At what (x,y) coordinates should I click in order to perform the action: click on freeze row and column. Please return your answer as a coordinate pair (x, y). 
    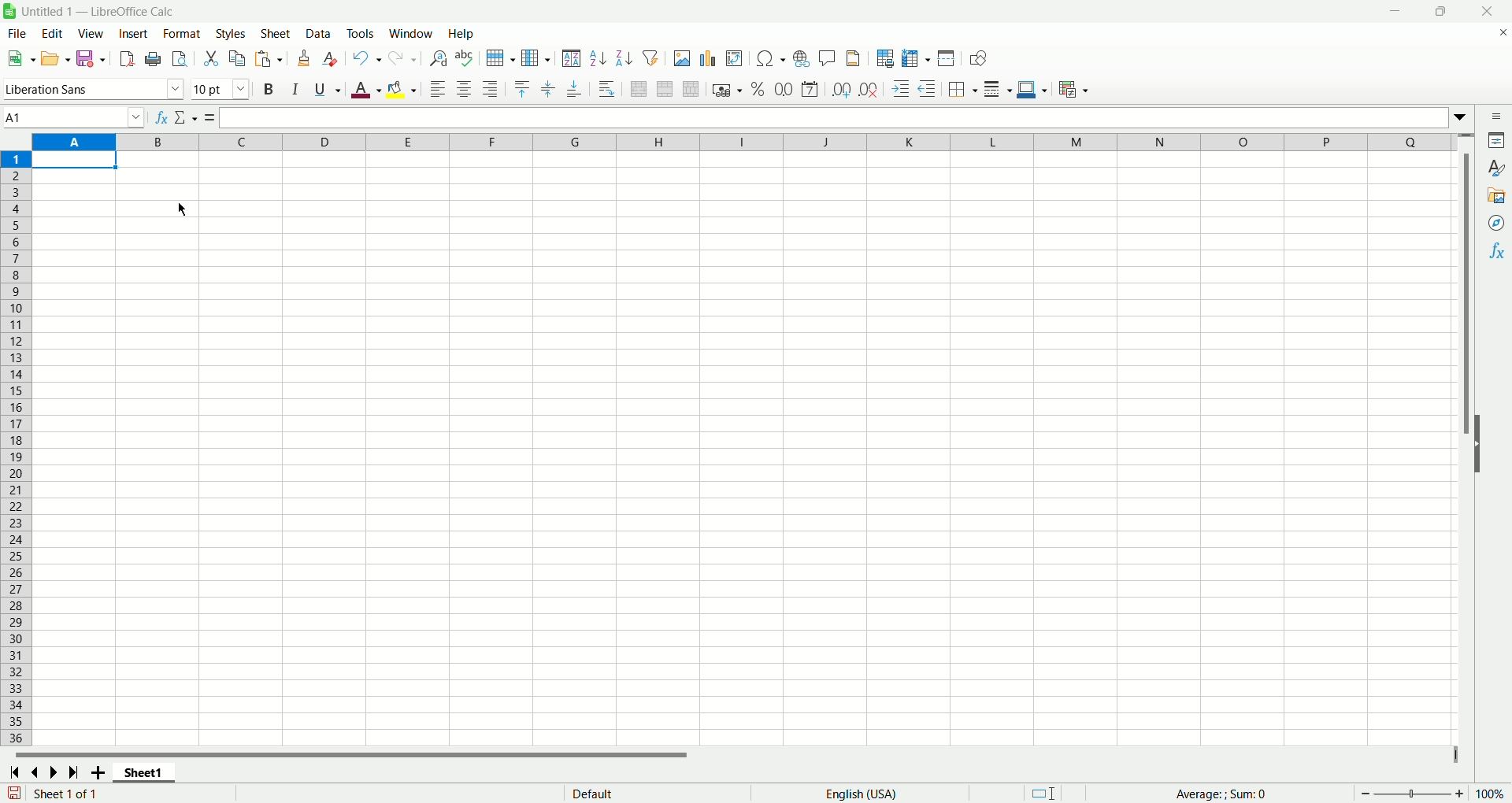
    Looking at the image, I should click on (916, 58).